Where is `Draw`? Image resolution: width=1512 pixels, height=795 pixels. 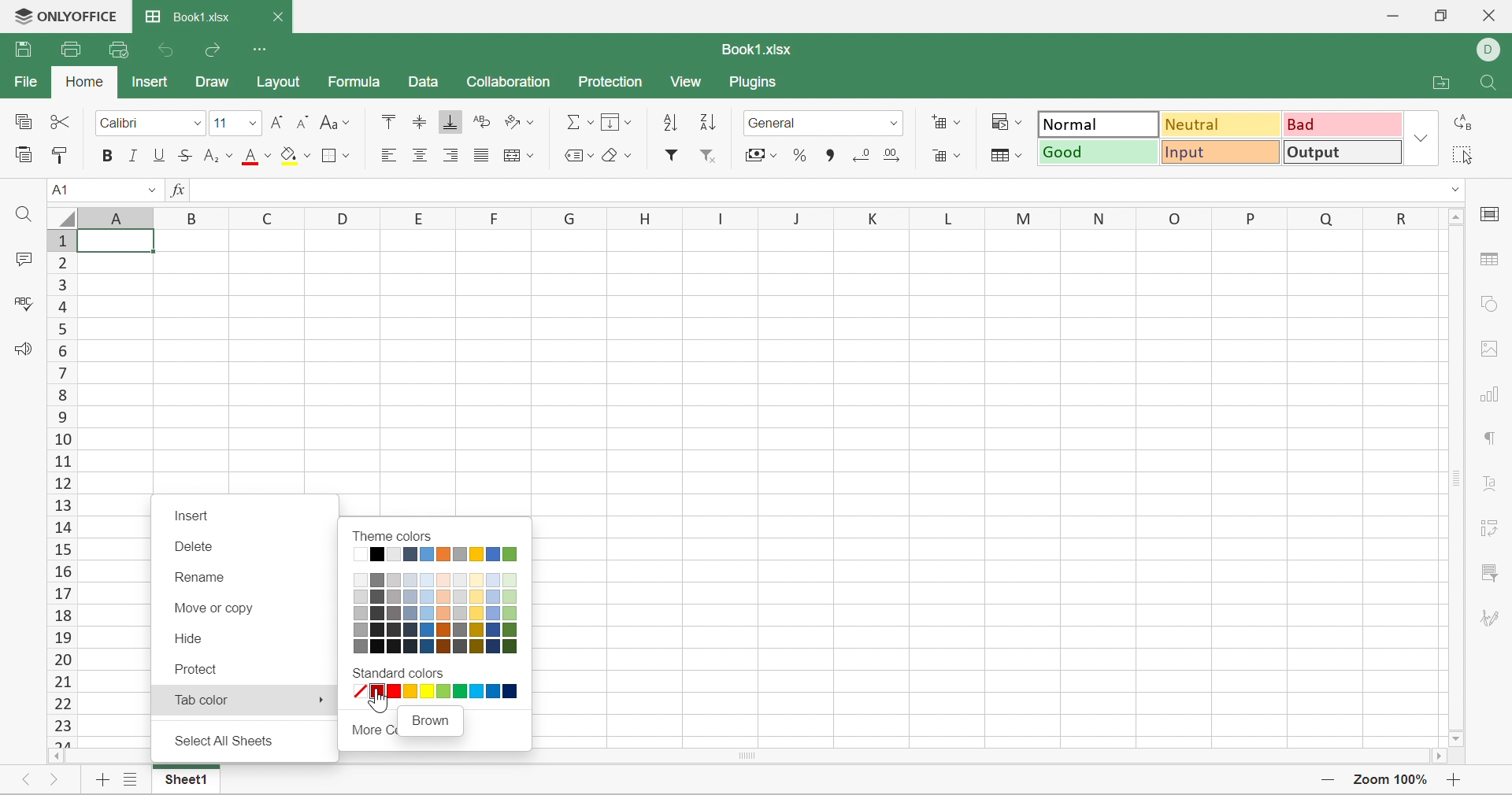 Draw is located at coordinates (213, 81).